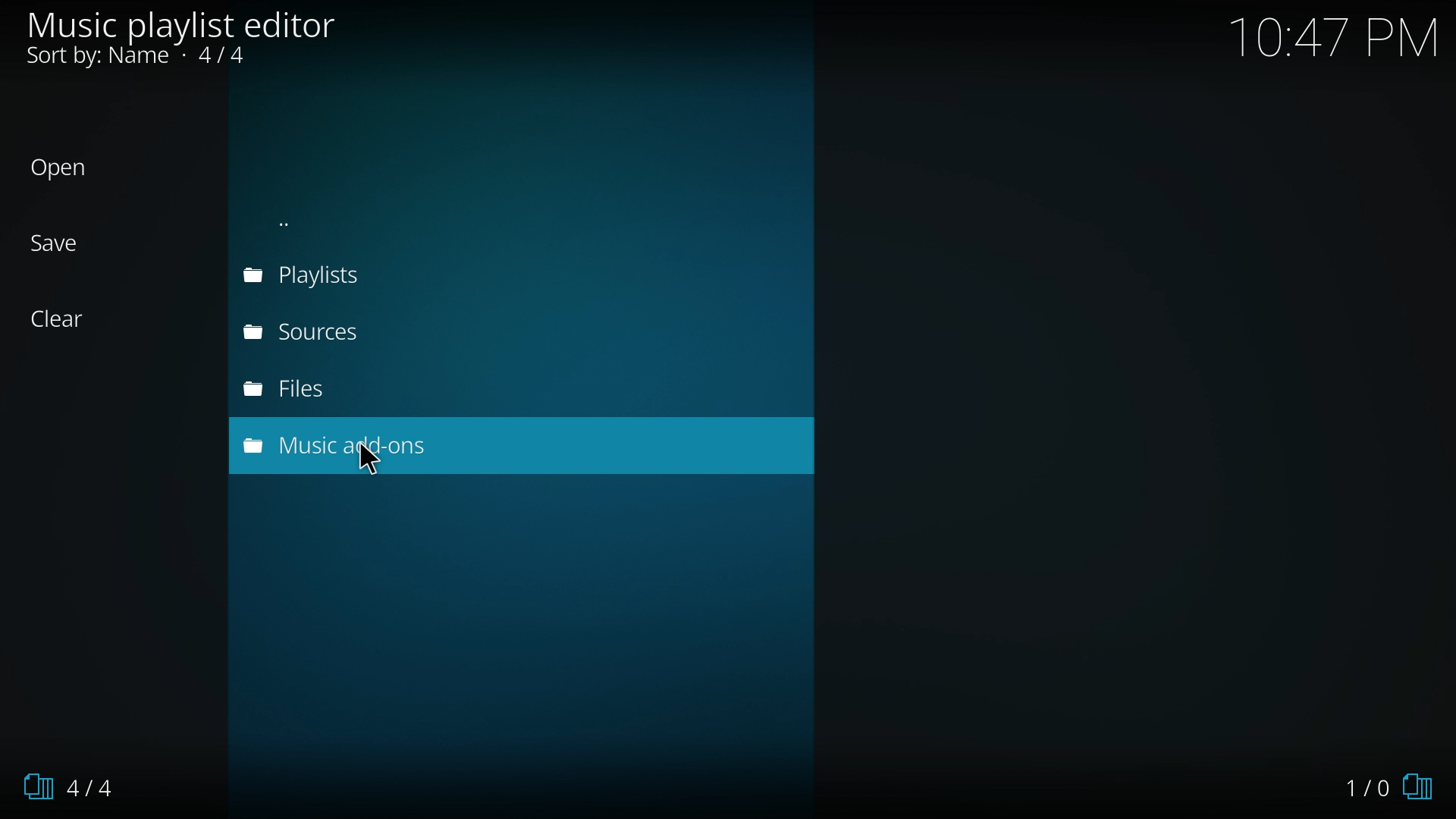 This screenshot has height=819, width=1456. Describe the element at coordinates (1335, 37) in the screenshot. I see `Time` at that location.